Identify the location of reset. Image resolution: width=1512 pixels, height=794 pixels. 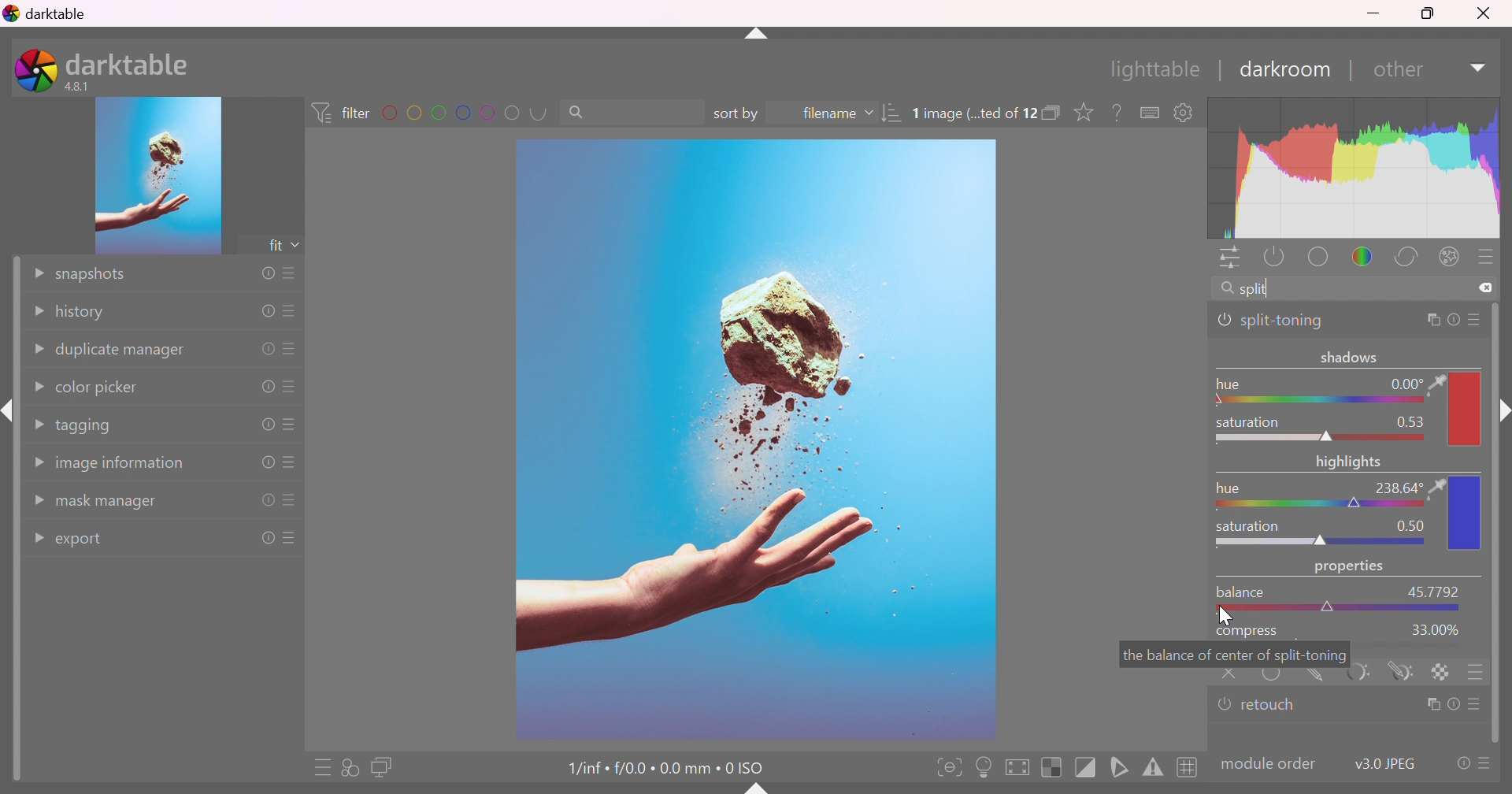
(261, 539).